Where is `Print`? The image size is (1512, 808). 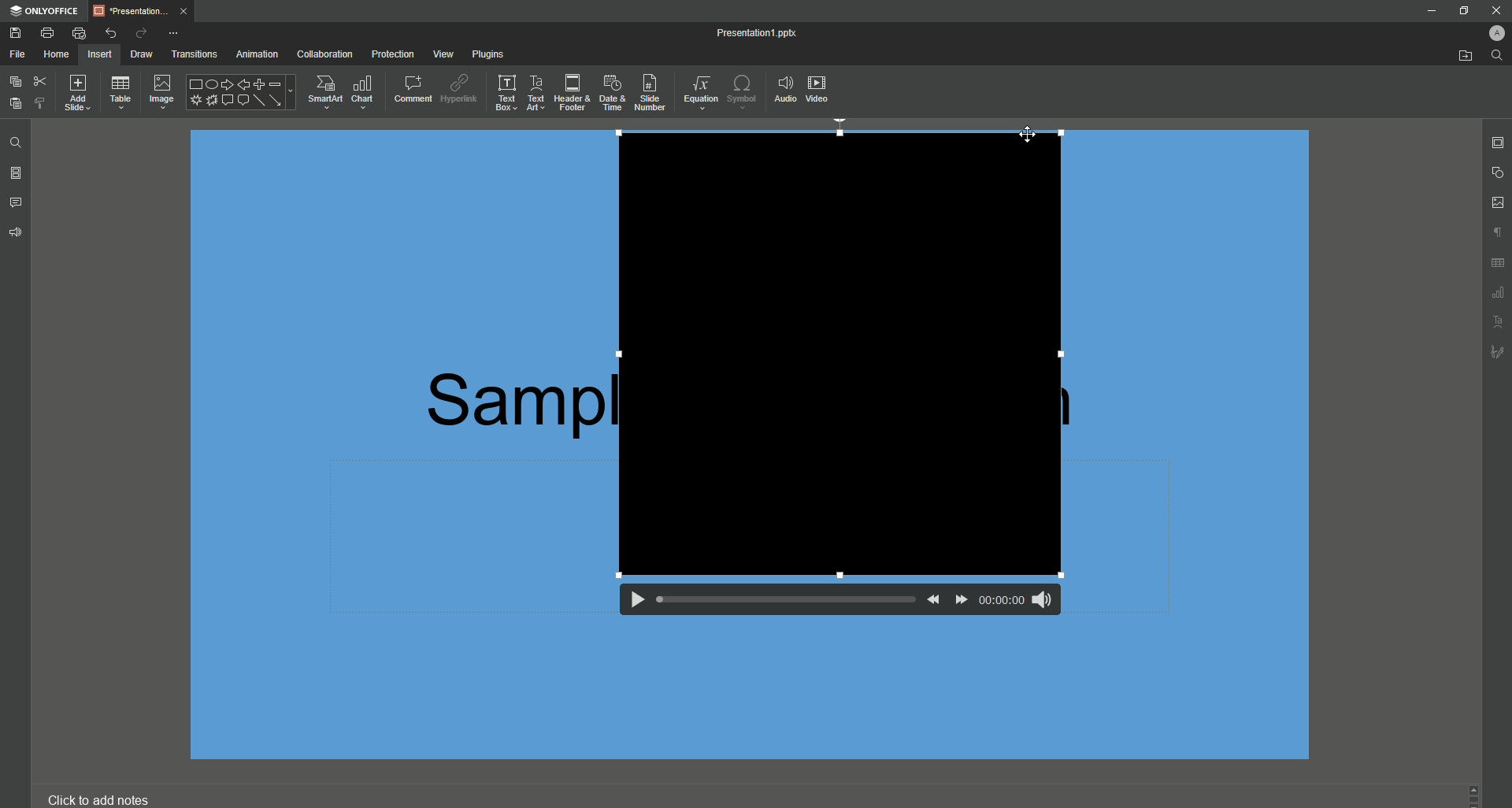
Print is located at coordinates (46, 32).